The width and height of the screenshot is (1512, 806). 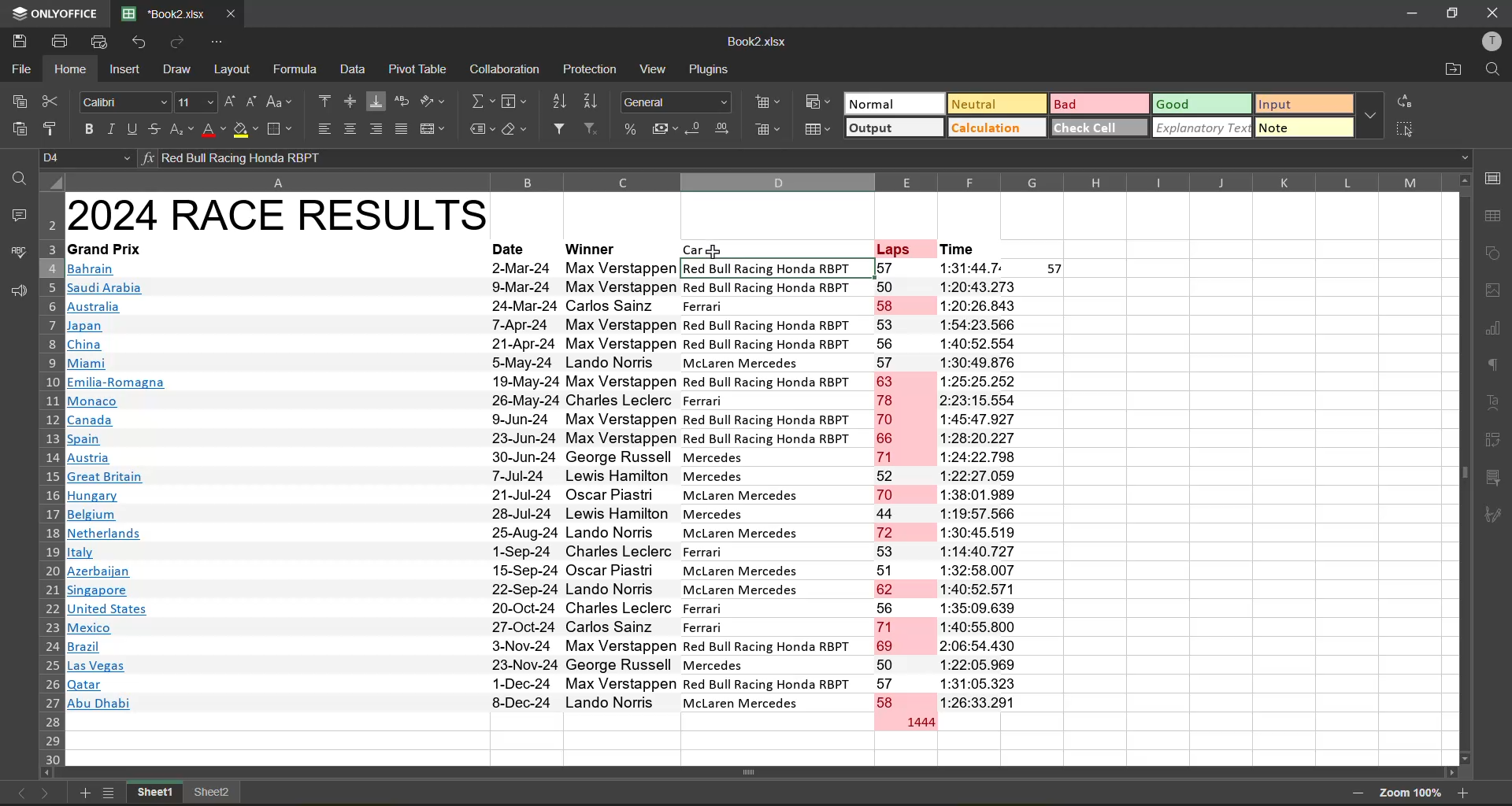 What do you see at coordinates (70, 69) in the screenshot?
I see `home` at bounding box center [70, 69].